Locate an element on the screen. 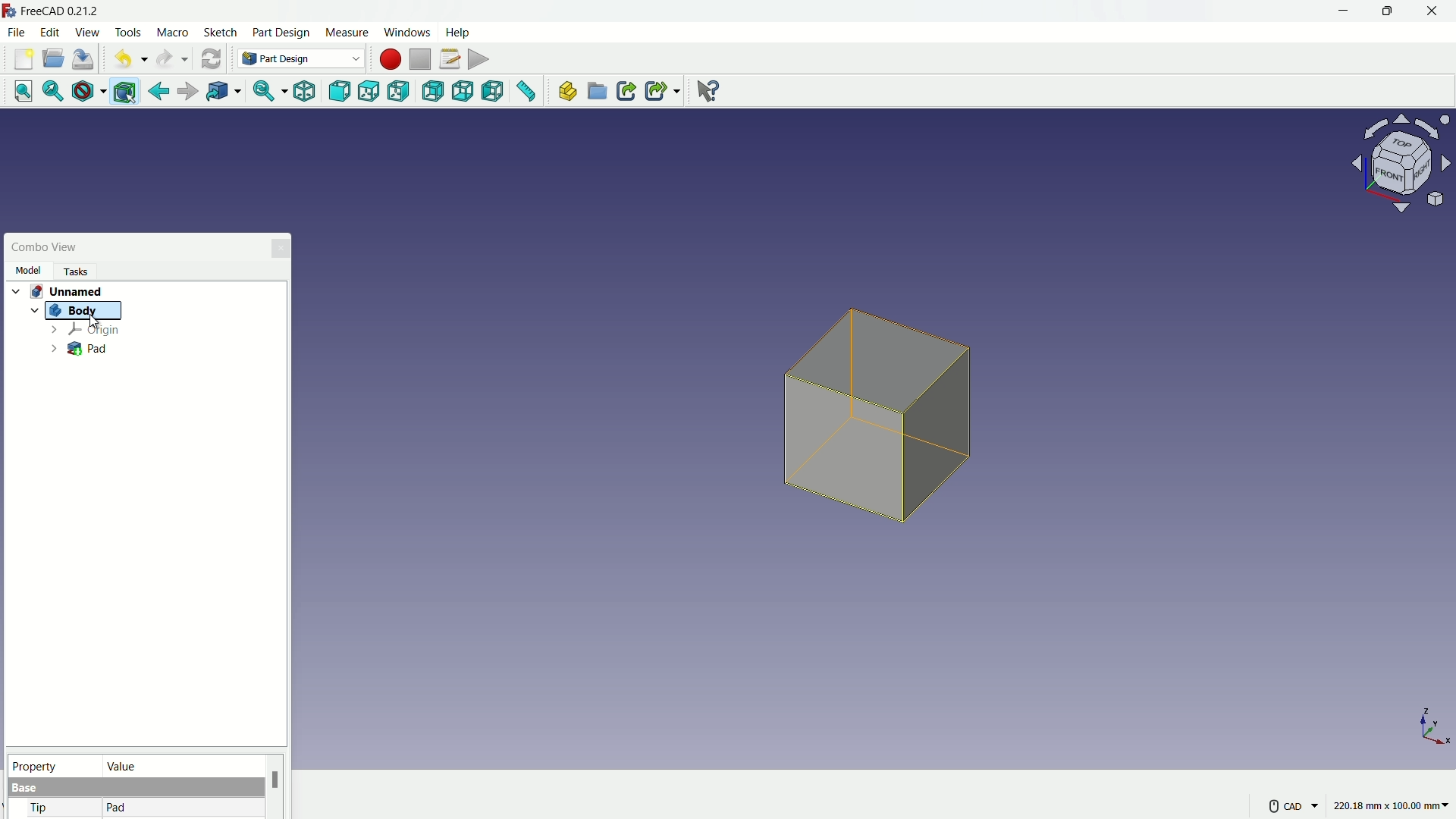  Body is located at coordinates (80, 311).